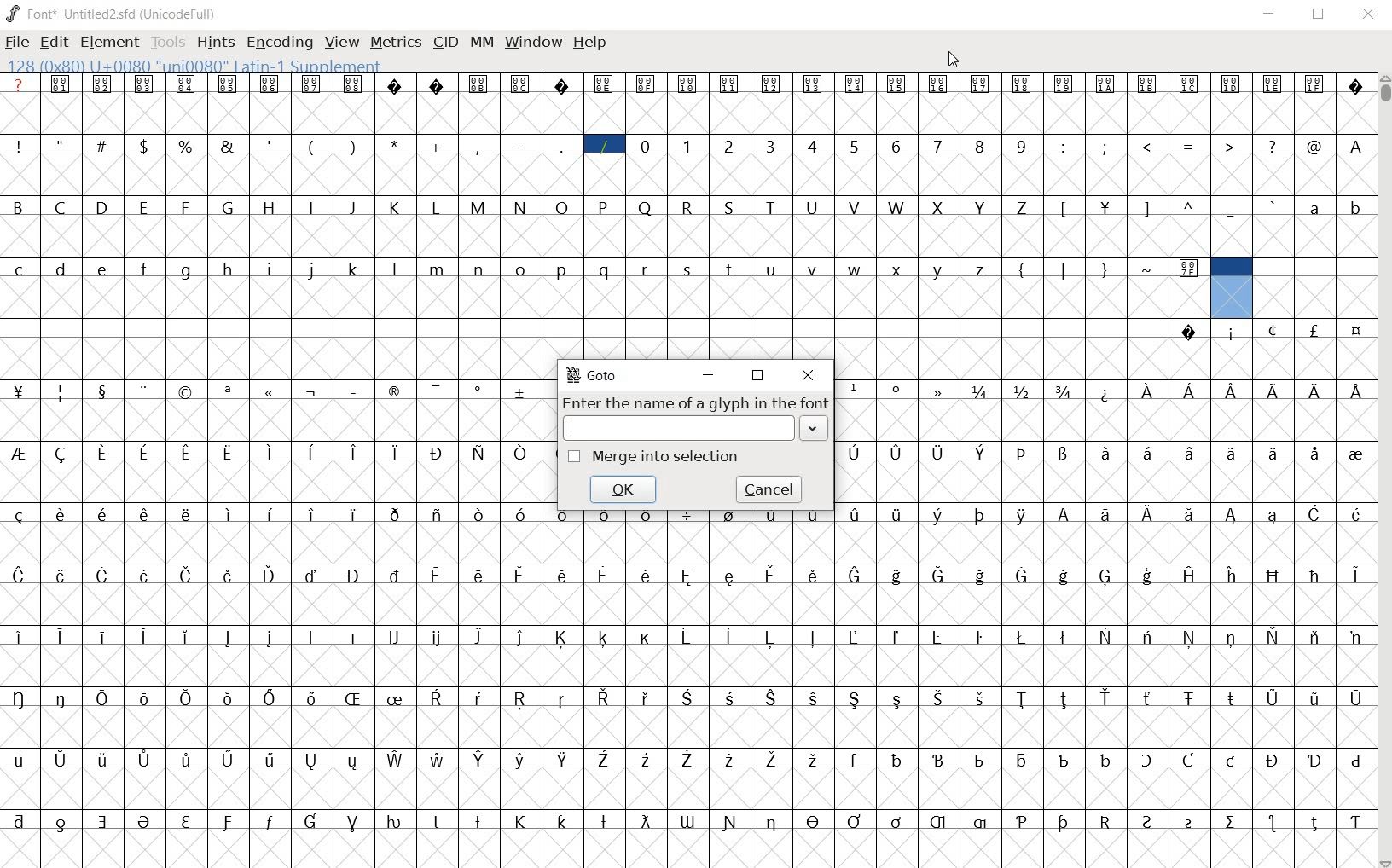  Describe the element at coordinates (188, 269) in the screenshot. I see `g` at that location.